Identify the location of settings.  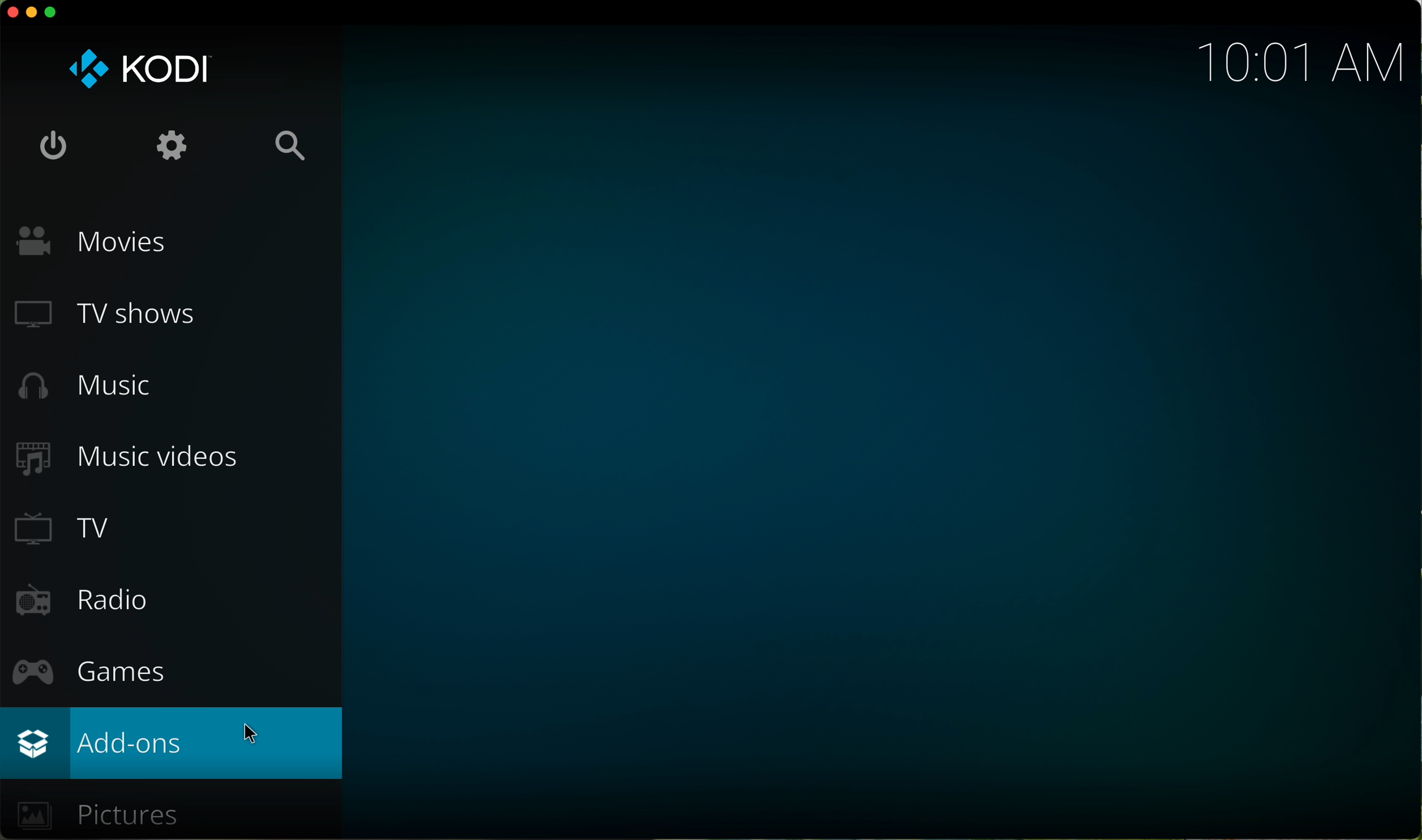
(170, 144).